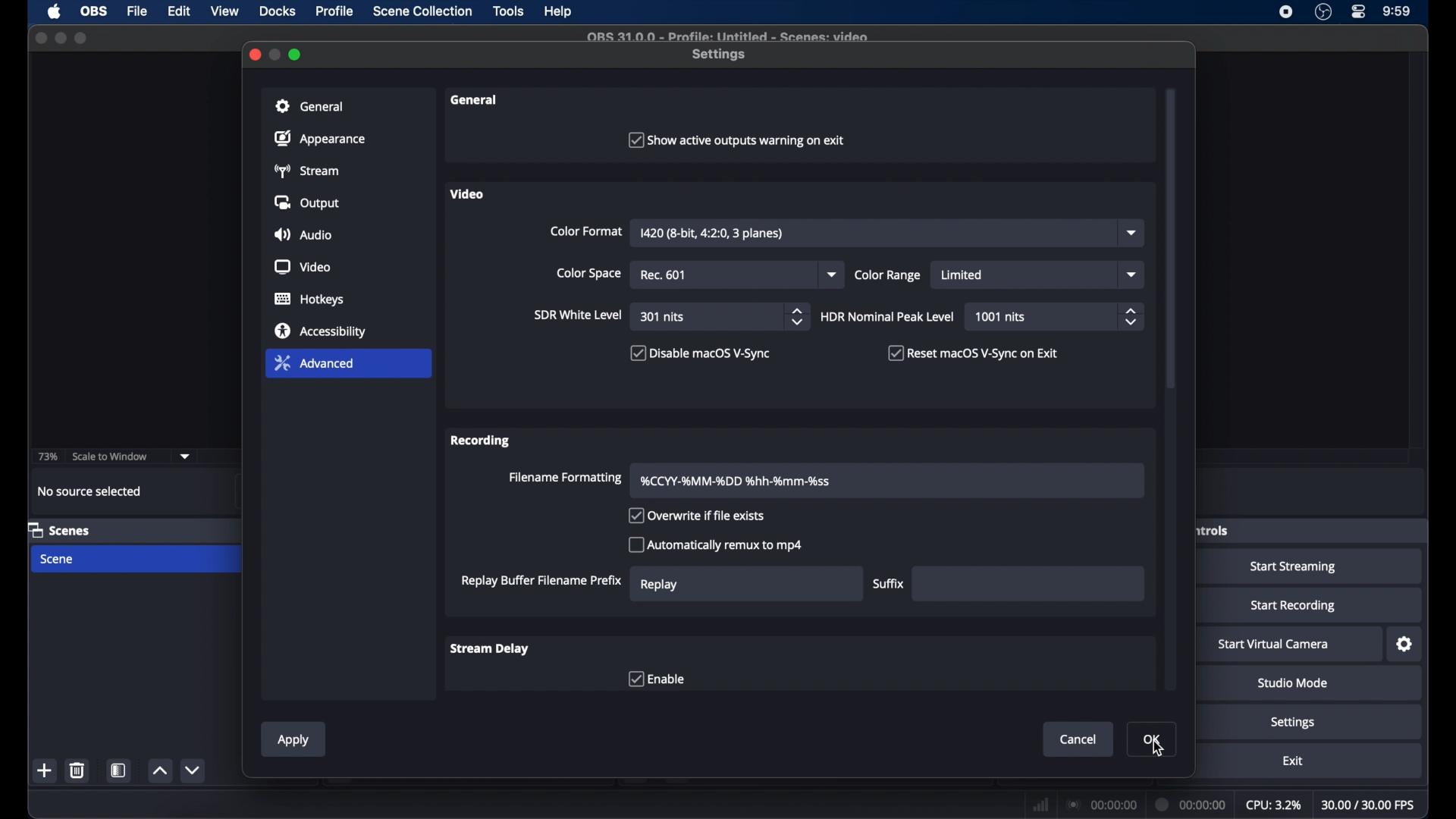 This screenshot has width=1456, height=819. Describe the element at coordinates (59, 529) in the screenshot. I see `scenes` at that location.